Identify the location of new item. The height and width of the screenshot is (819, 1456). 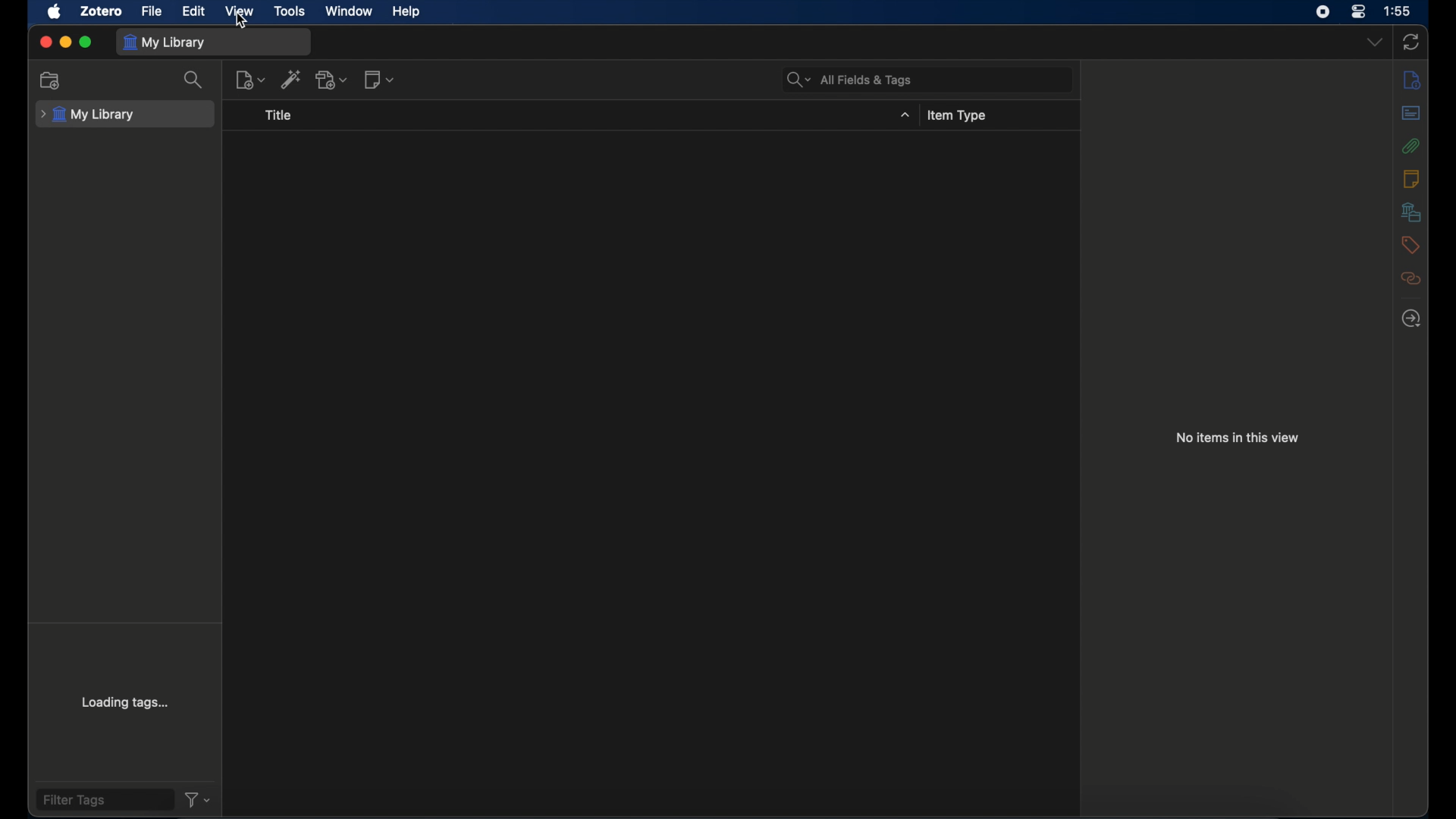
(249, 79).